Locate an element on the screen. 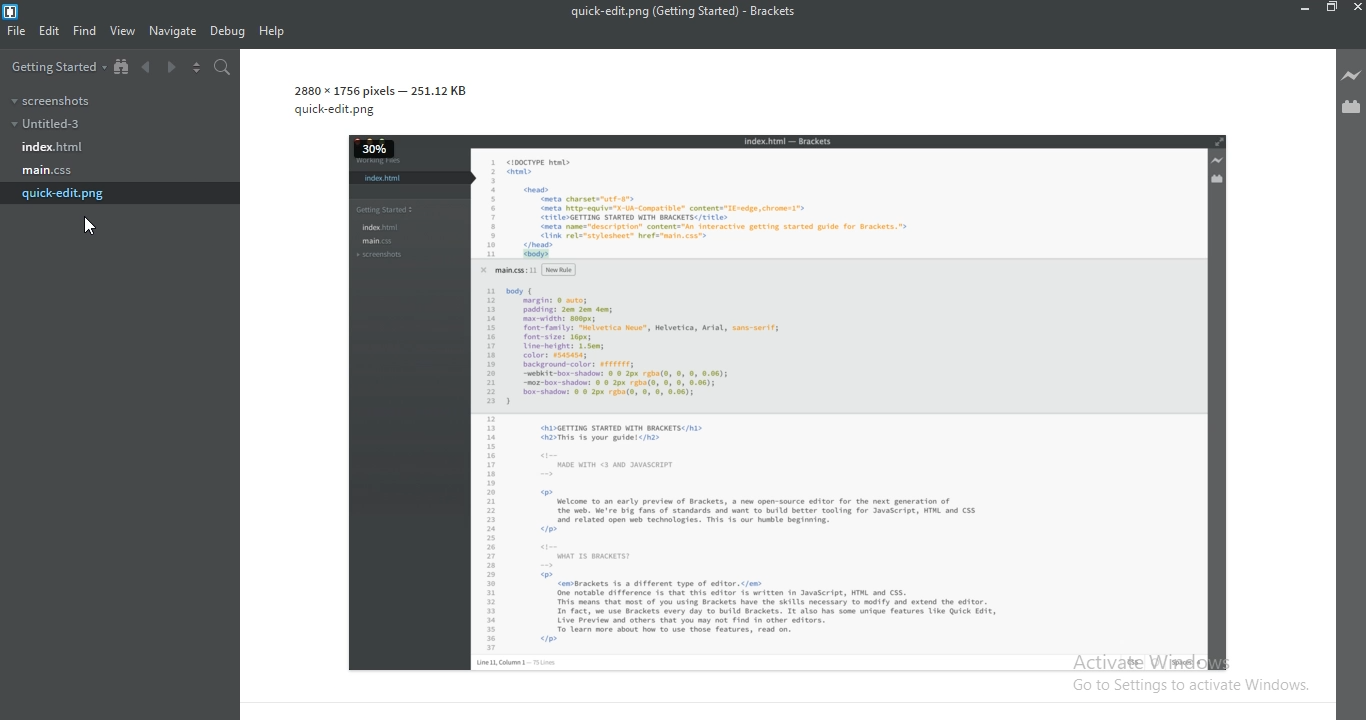 This screenshot has height=720, width=1366. main.css is located at coordinates (48, 169).